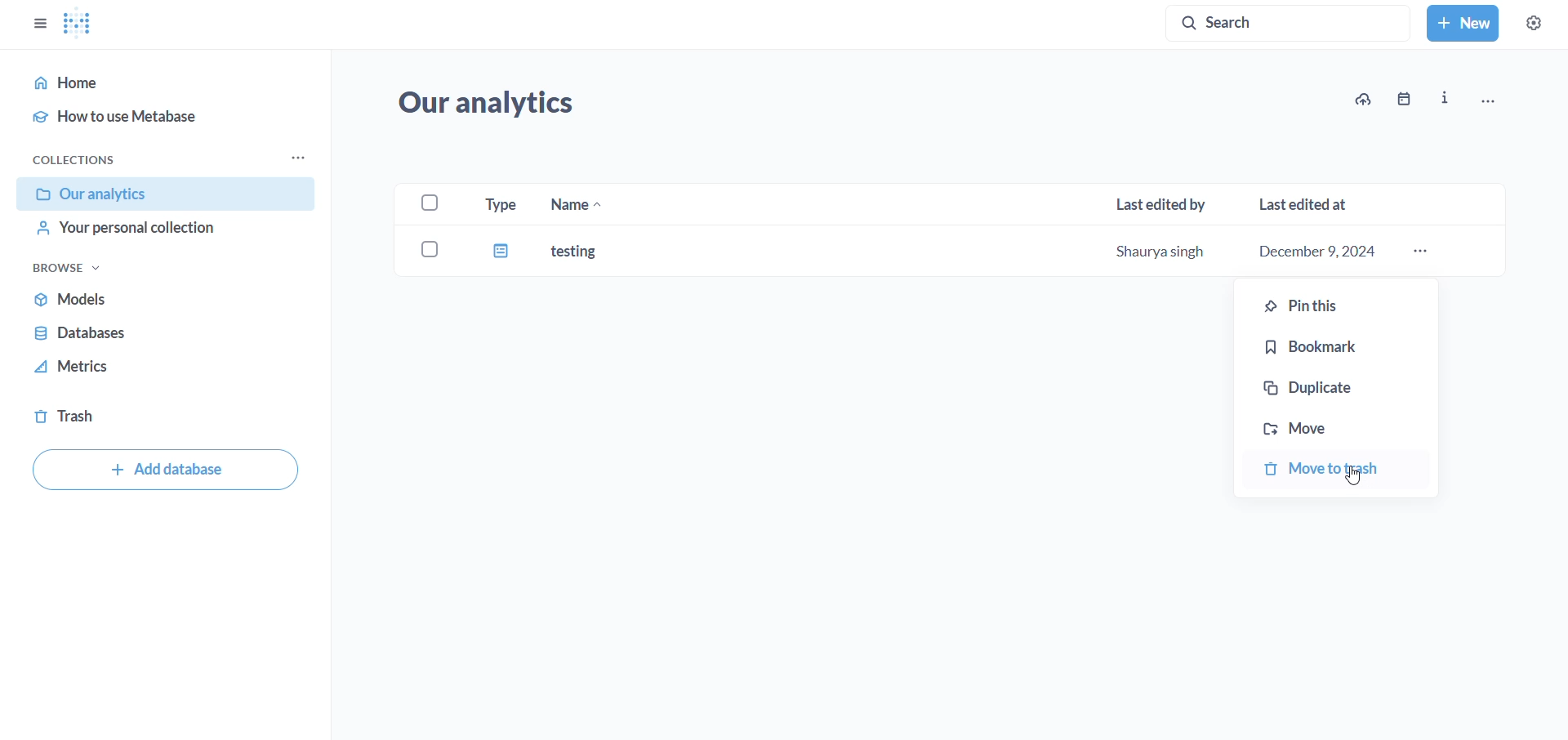 The width and height of the screenshot is (1568, 740). Describe the element at coordinates (1532, 23) in the screenshot. I see `settings` at that location.